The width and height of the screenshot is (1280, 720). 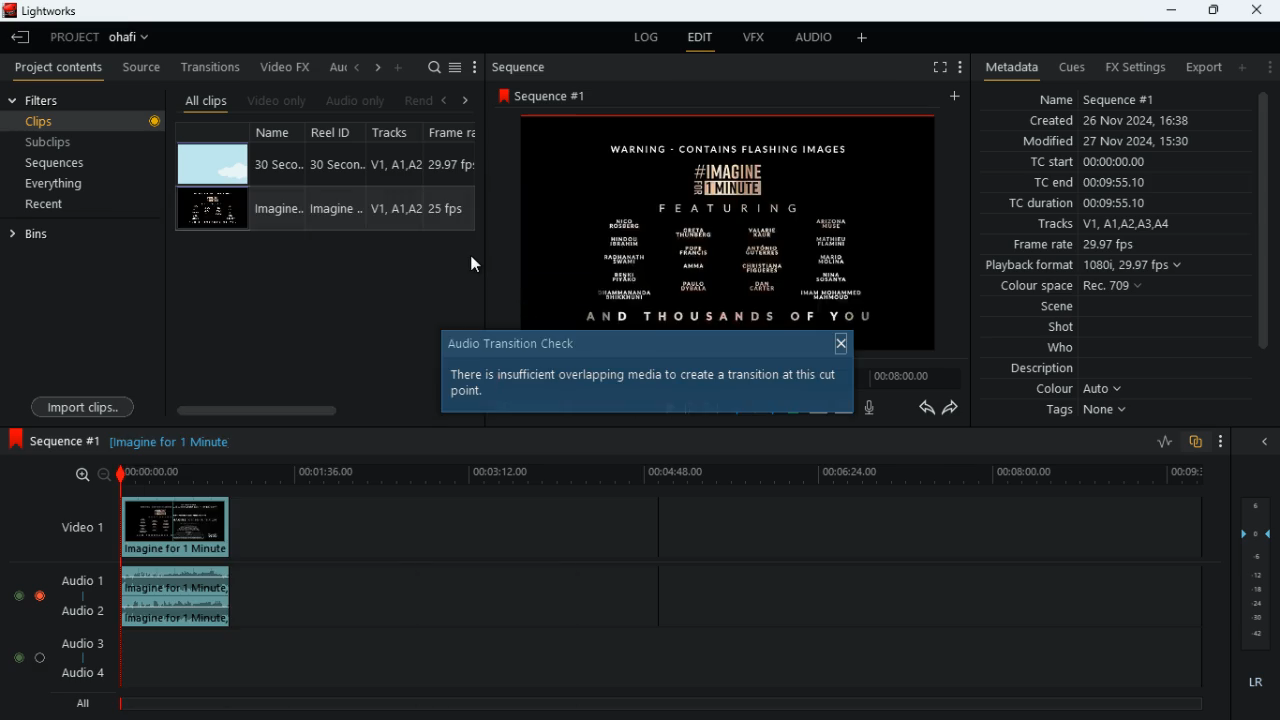 What do you see at coordinates (279, 163) in the screenshot?
I see `30 seco..` at bounding box center [279, 163].